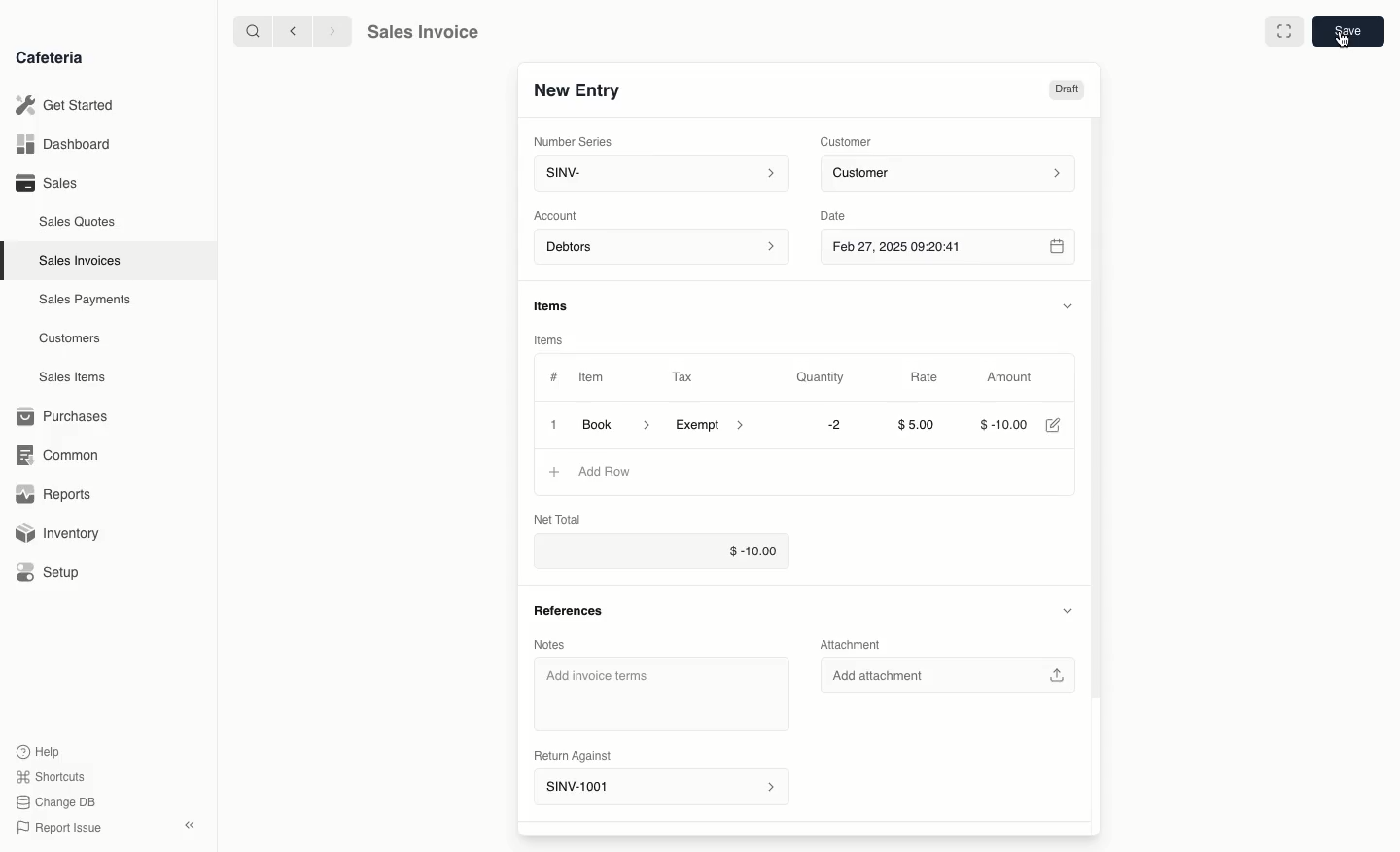 The width and height of the screenshot is (1400, 852). Describe the element at coordinates (51, 572) in the screenshot. I see `Setup` at that location.